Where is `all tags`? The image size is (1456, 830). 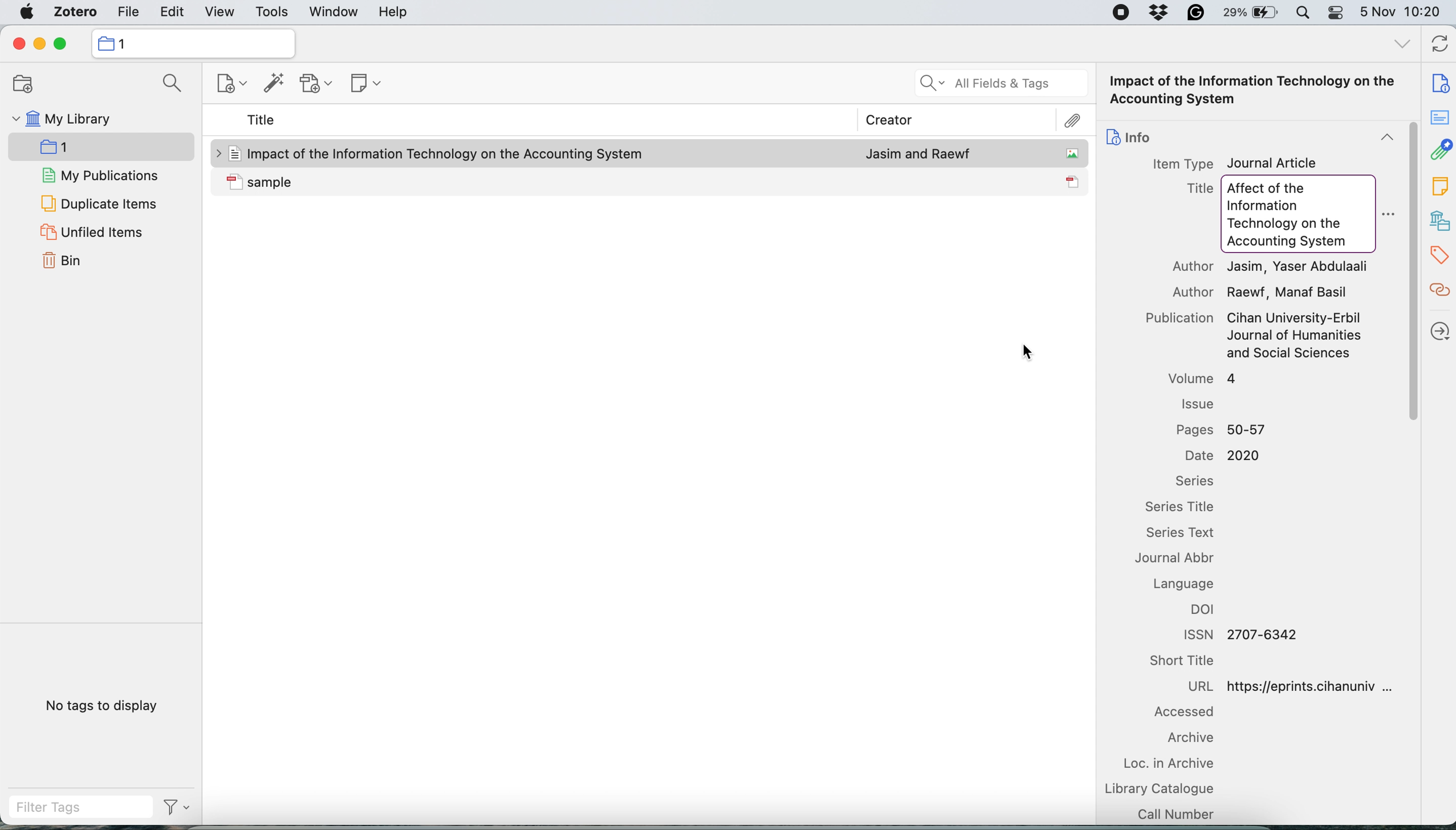 all tags is located at coordinates (1401, 44).